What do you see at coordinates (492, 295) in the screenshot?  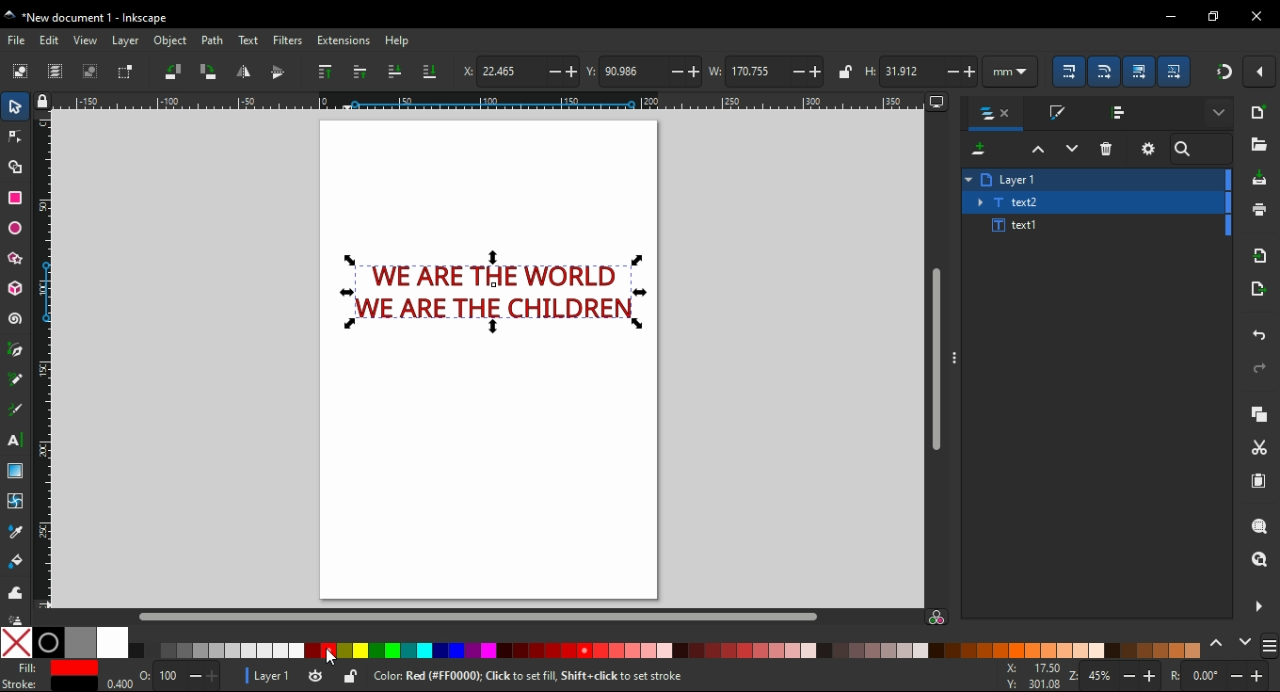 I see `selected text` at bounding box center [492, 295].